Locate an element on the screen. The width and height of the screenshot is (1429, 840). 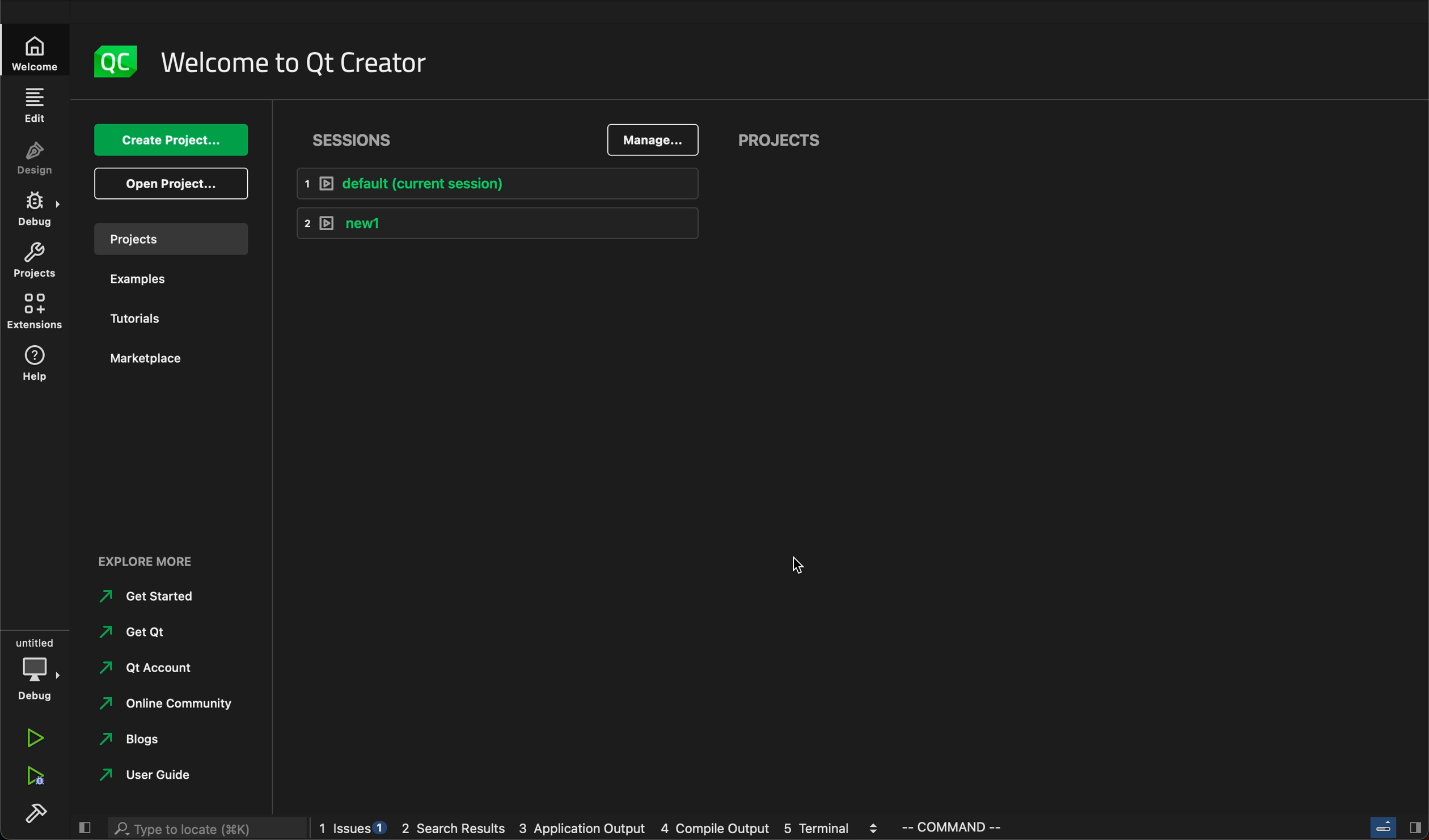
extensions is located at coordinates (33, 311).